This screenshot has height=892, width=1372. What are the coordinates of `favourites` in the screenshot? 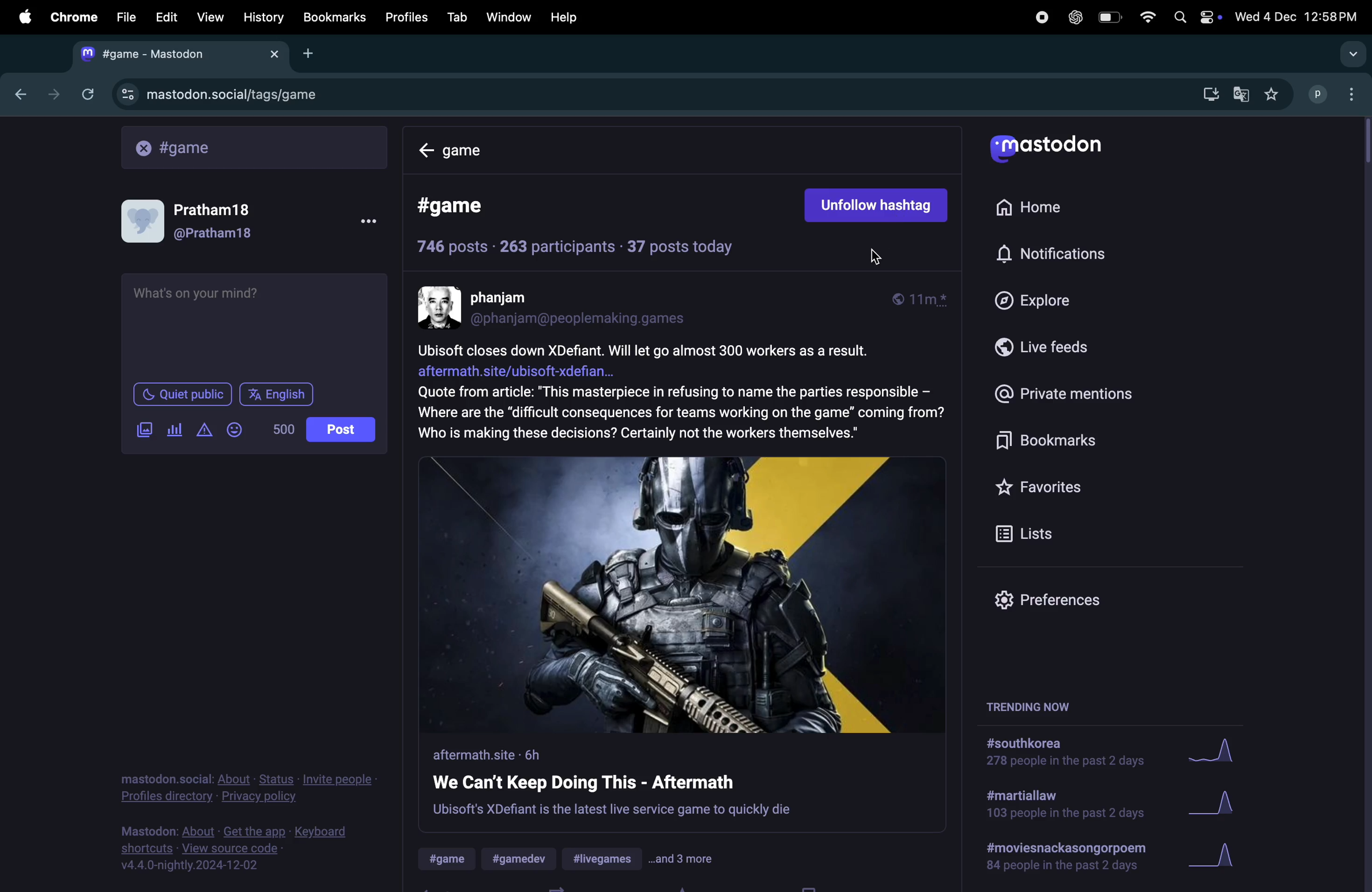 It's located at (1275, 93).